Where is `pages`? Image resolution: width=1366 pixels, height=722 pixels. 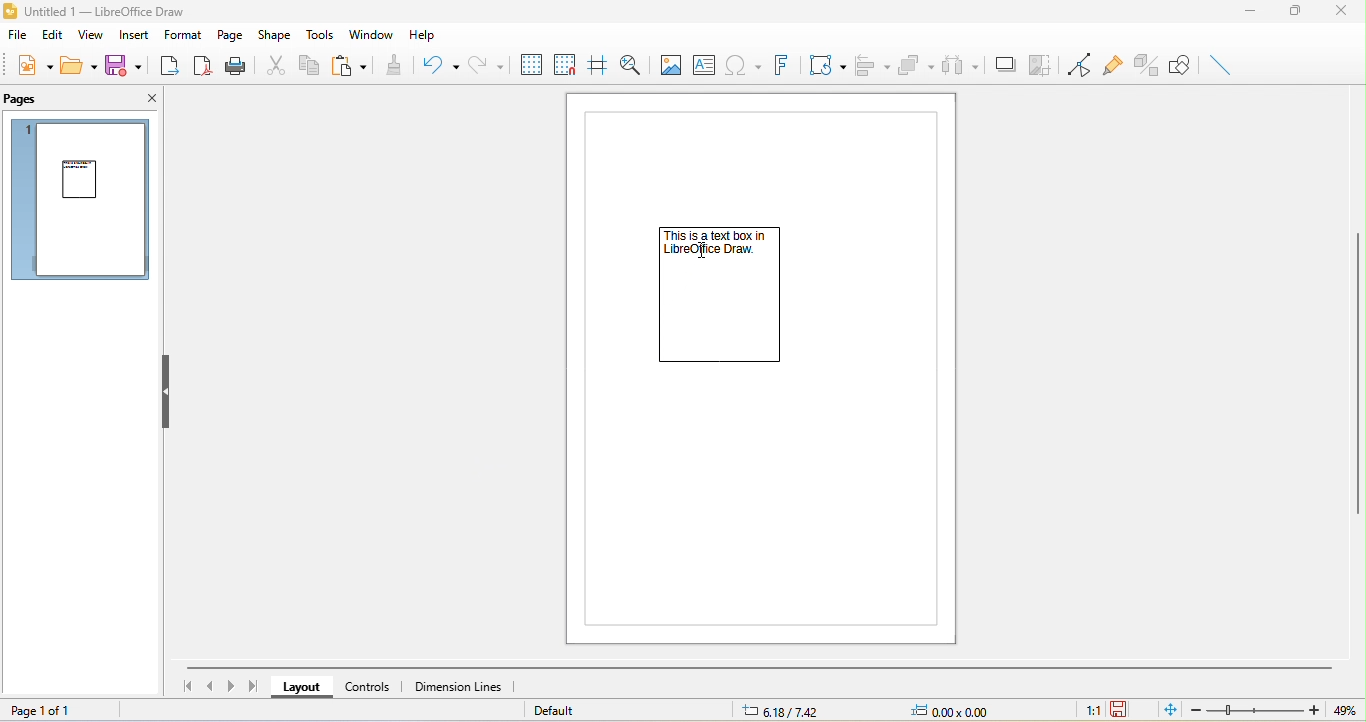
pages is located at coordinates (26, 98).